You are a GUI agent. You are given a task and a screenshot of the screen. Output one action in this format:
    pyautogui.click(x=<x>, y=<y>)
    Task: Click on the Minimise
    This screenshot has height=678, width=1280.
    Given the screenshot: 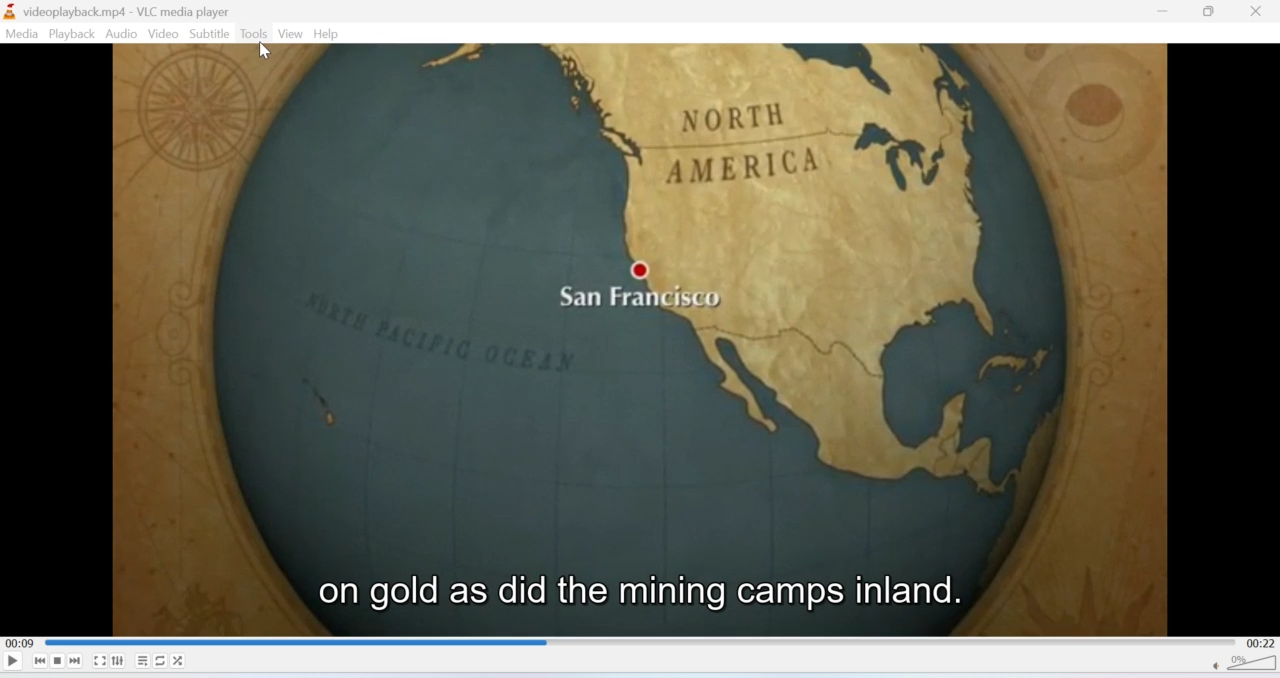 What is the action you would take?
    pyautogui.click(x=1166, y=10)
    